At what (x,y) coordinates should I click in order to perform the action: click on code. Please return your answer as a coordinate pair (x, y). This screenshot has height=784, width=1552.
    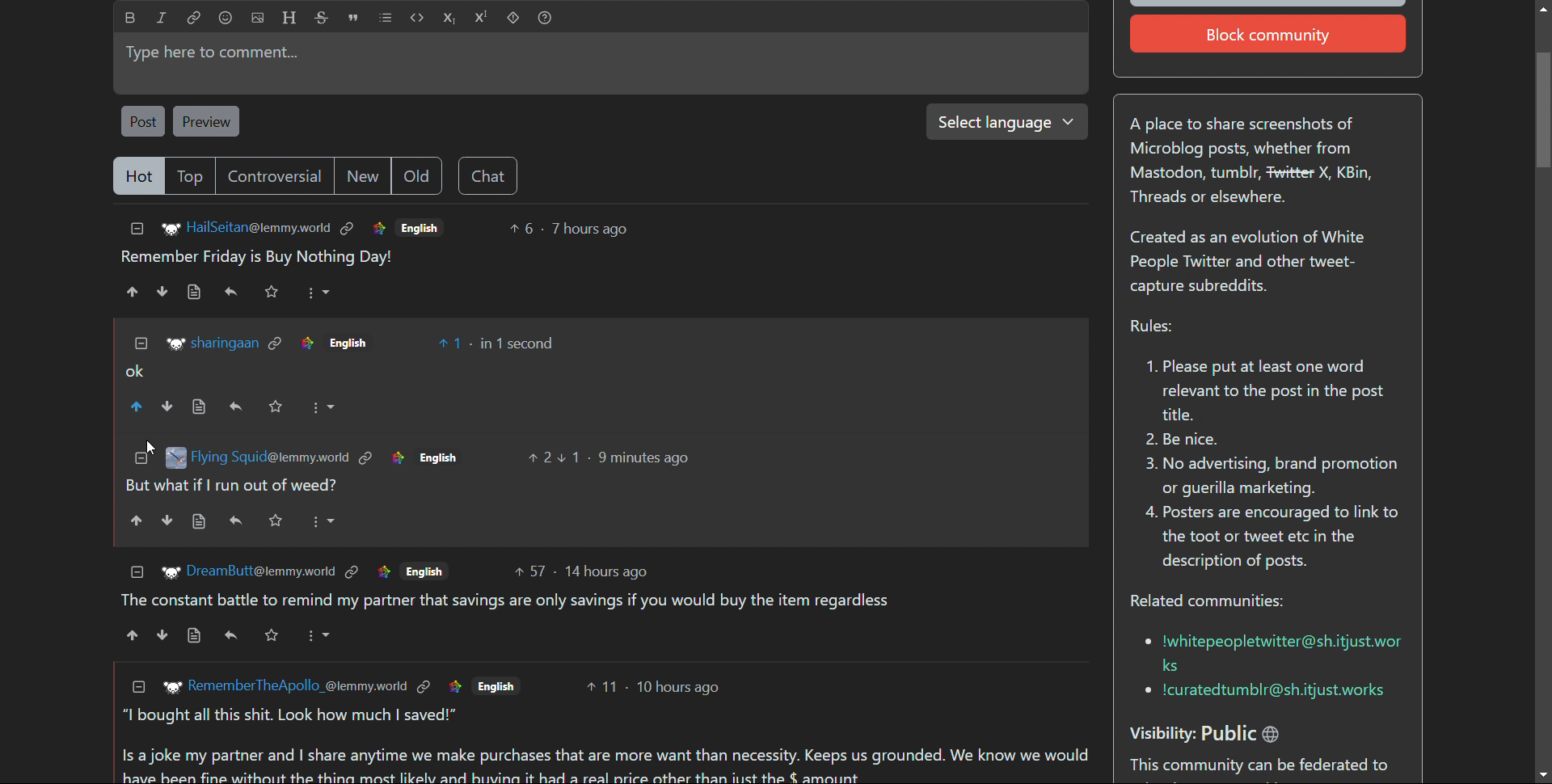
    Looking at the image, I should click on (418, 18).